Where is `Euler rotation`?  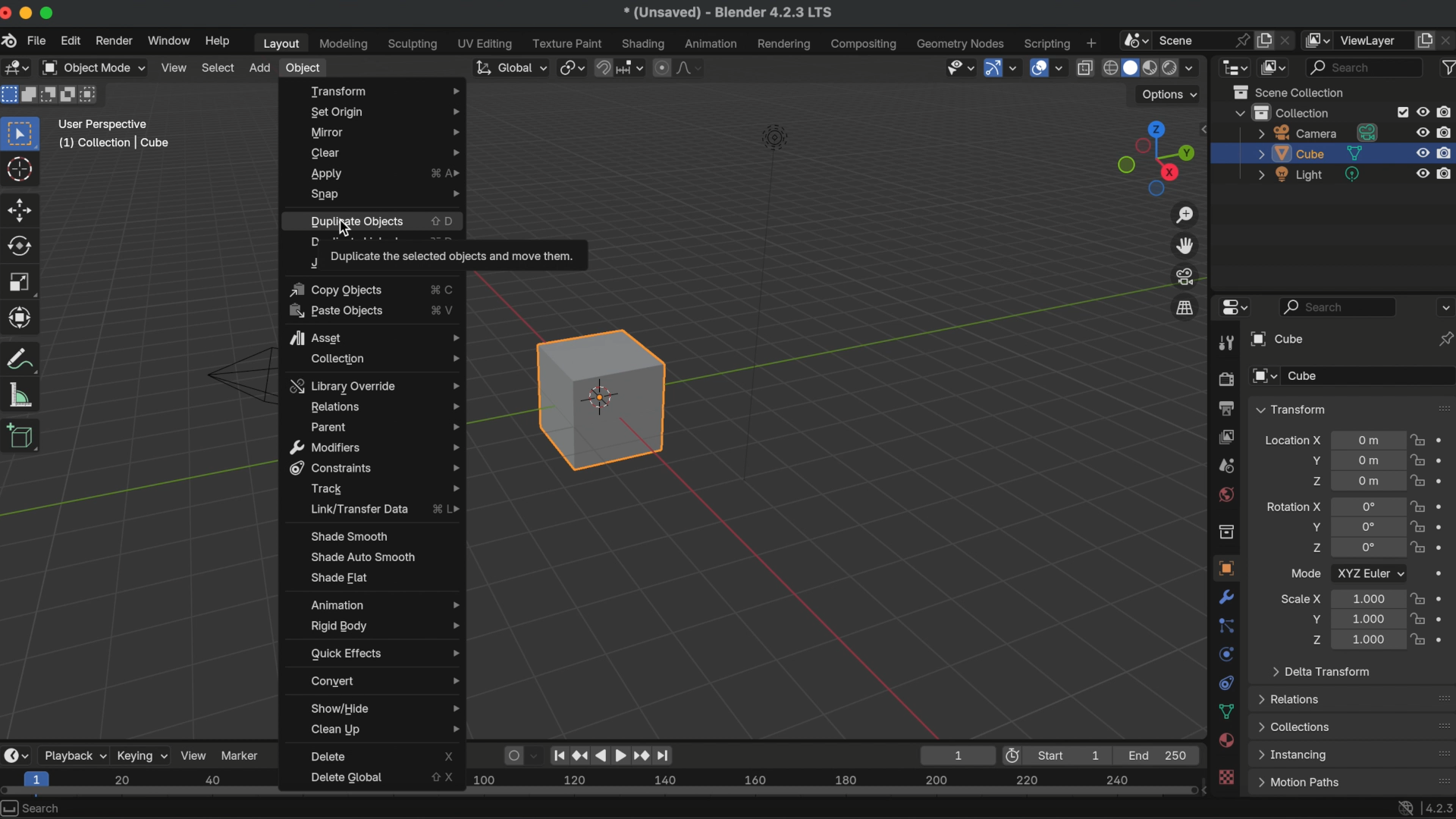 Euler rotation is located at coordinates (1367, 507).